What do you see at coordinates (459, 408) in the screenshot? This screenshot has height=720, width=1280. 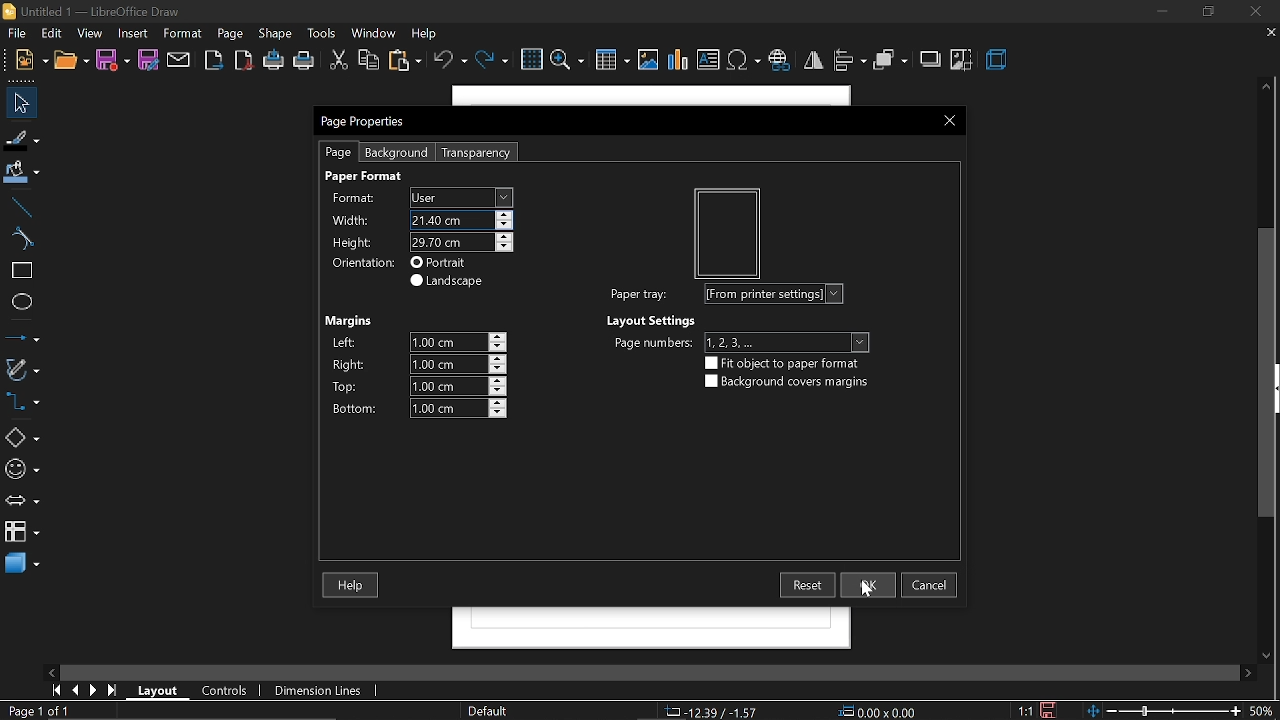 I see `1.00cm` at bounding box center [459, 408].